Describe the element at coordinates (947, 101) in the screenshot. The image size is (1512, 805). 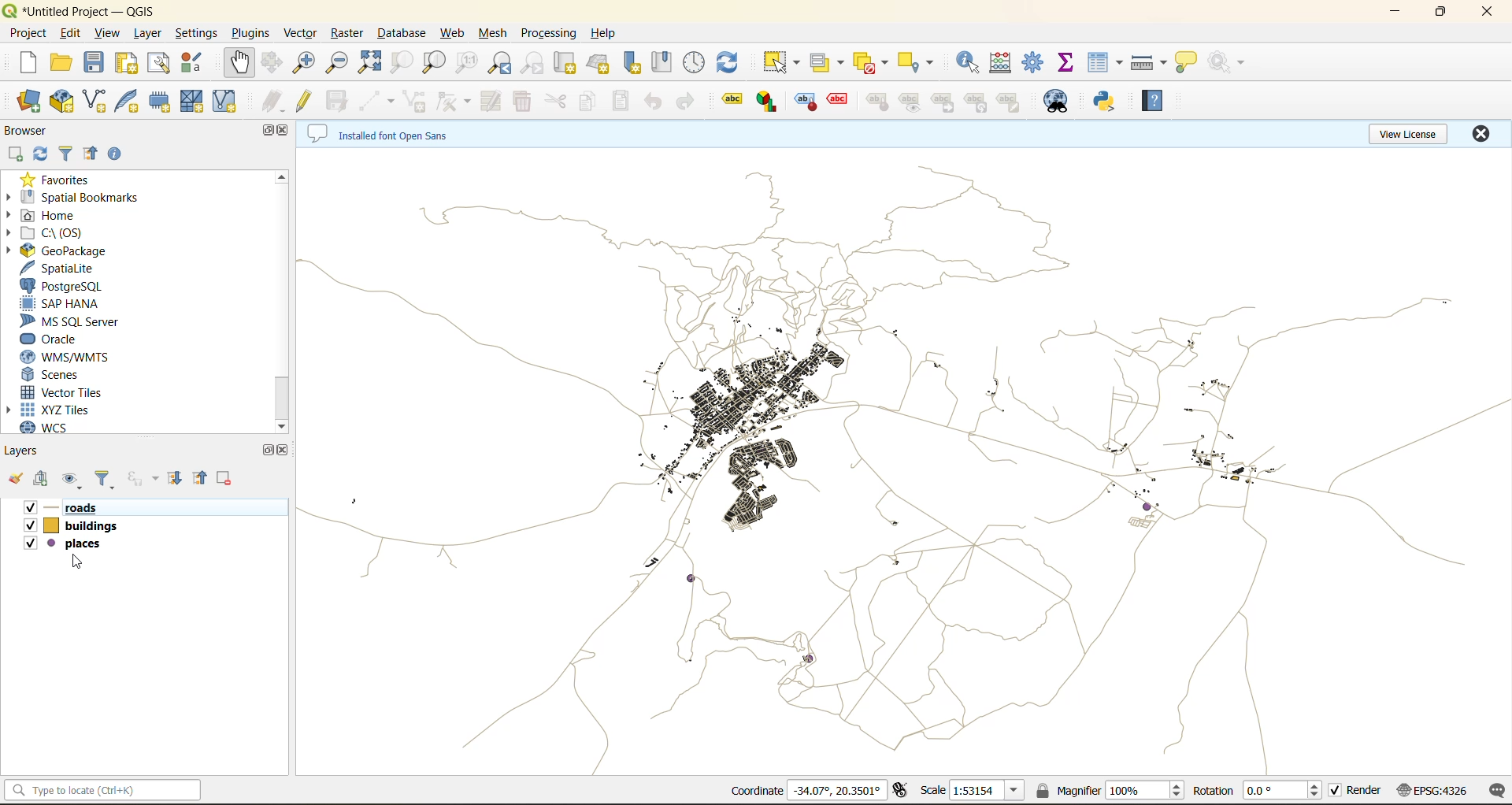
I see `move a label and diagram` at that location.